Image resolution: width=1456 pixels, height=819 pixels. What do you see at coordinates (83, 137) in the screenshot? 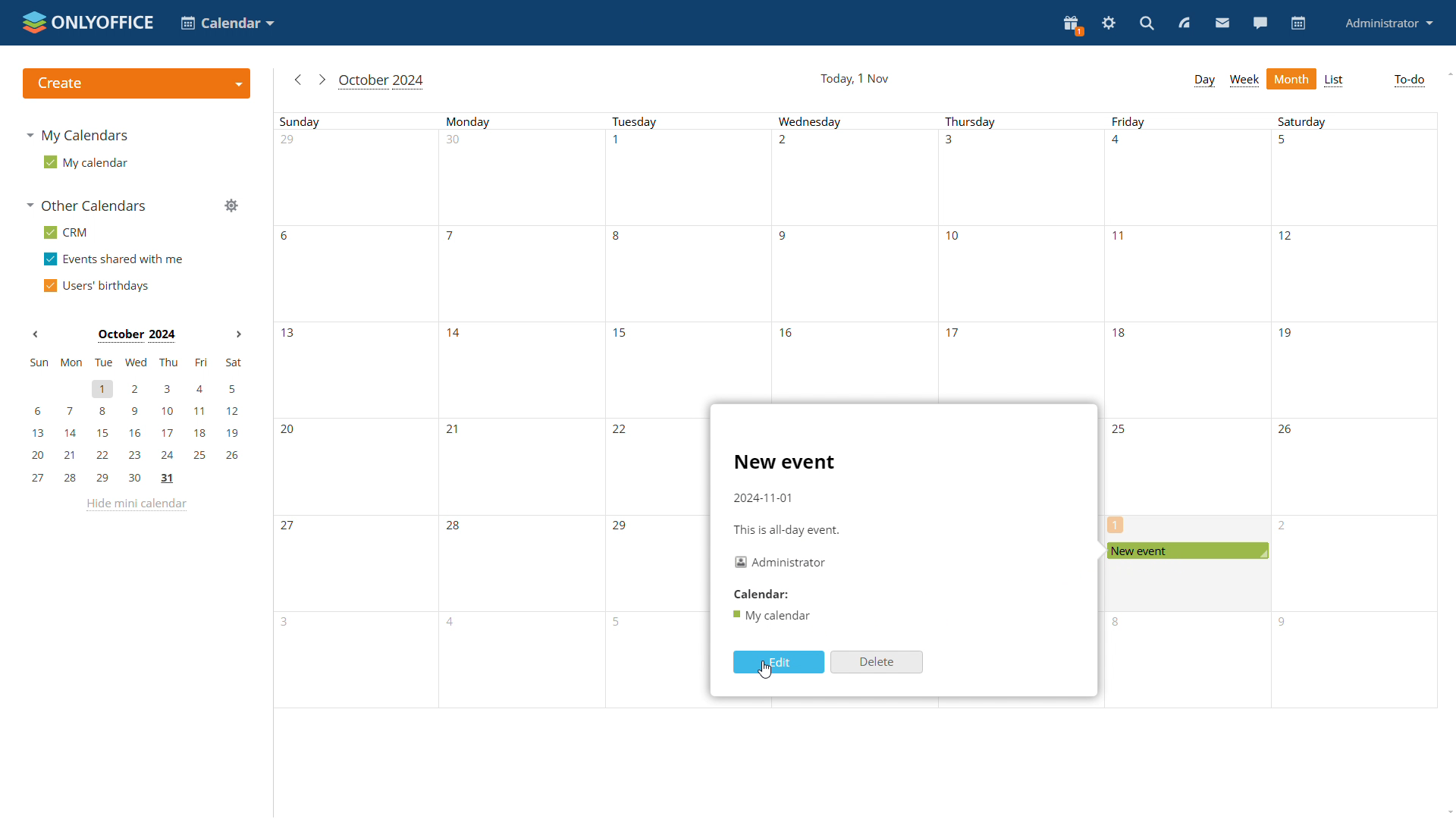
I see `my calendars` at bounding box center [83, 137].